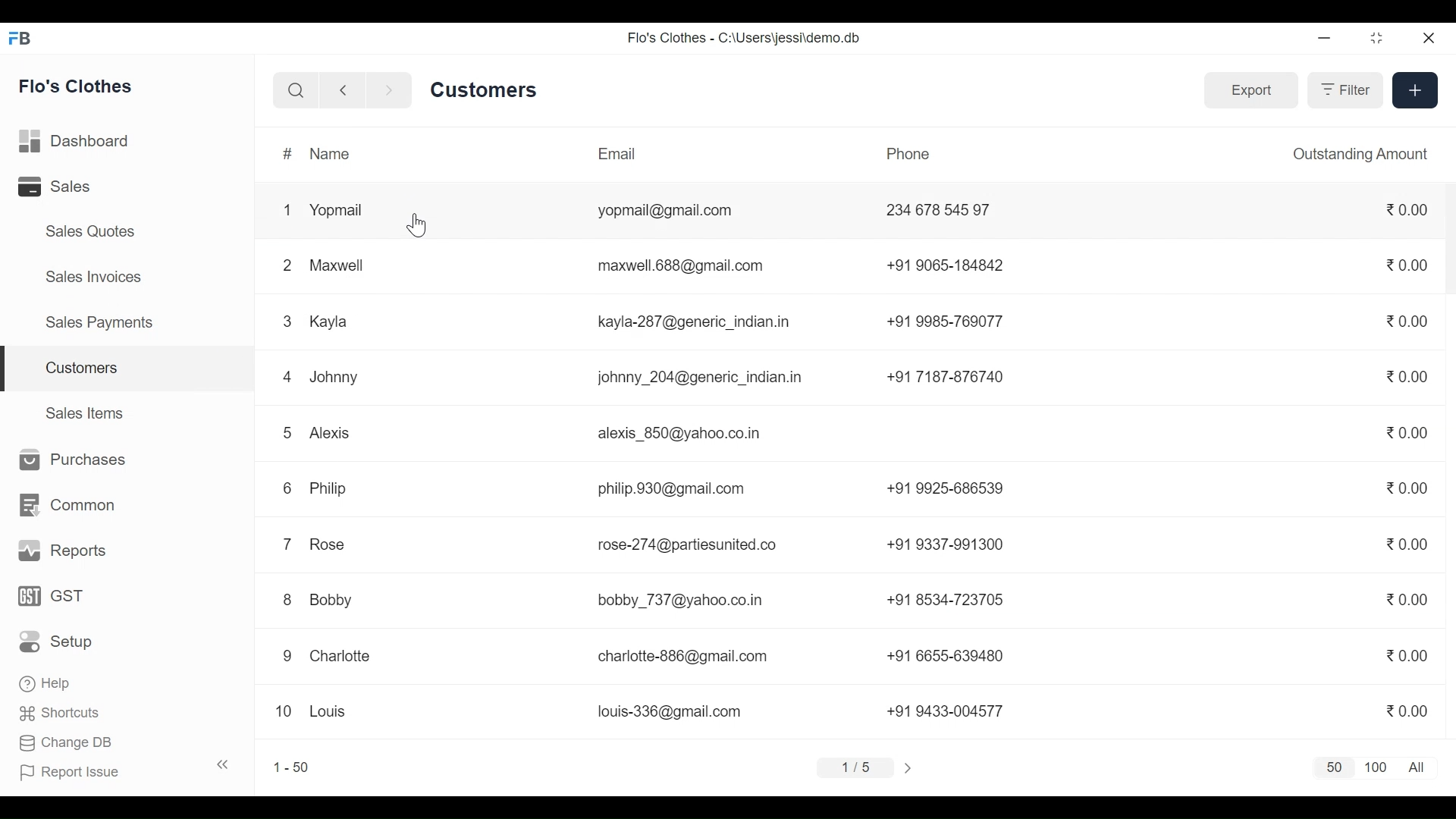 Image resolution: width=1456 pixels, height=819 pixels. I want to click on Purchases, so click(68, 460).